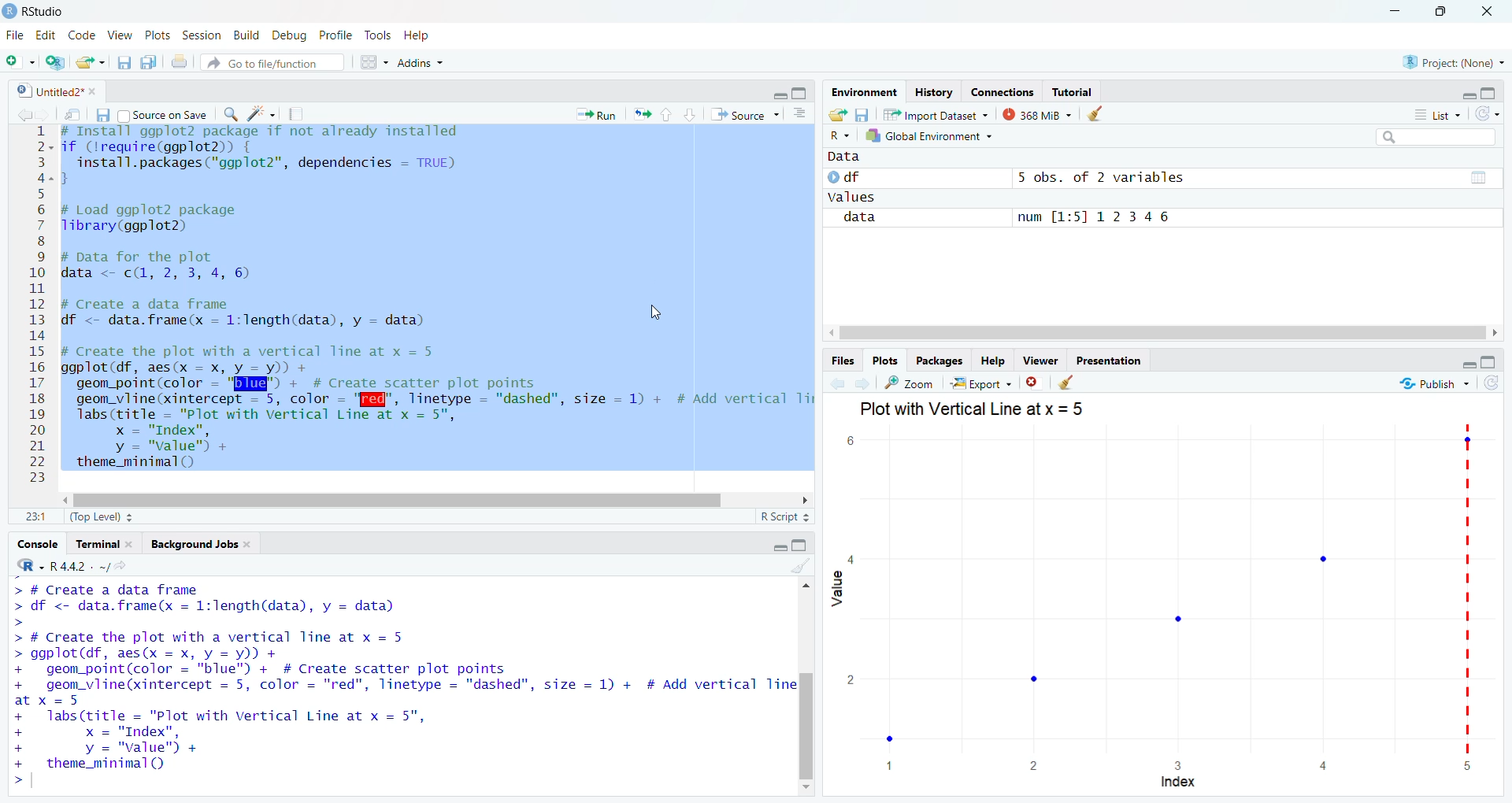 The width and height of the screenshot is (1512, 803). Describe the element at coordinates (18, 114) in the screenshot. I see `back` at that location.